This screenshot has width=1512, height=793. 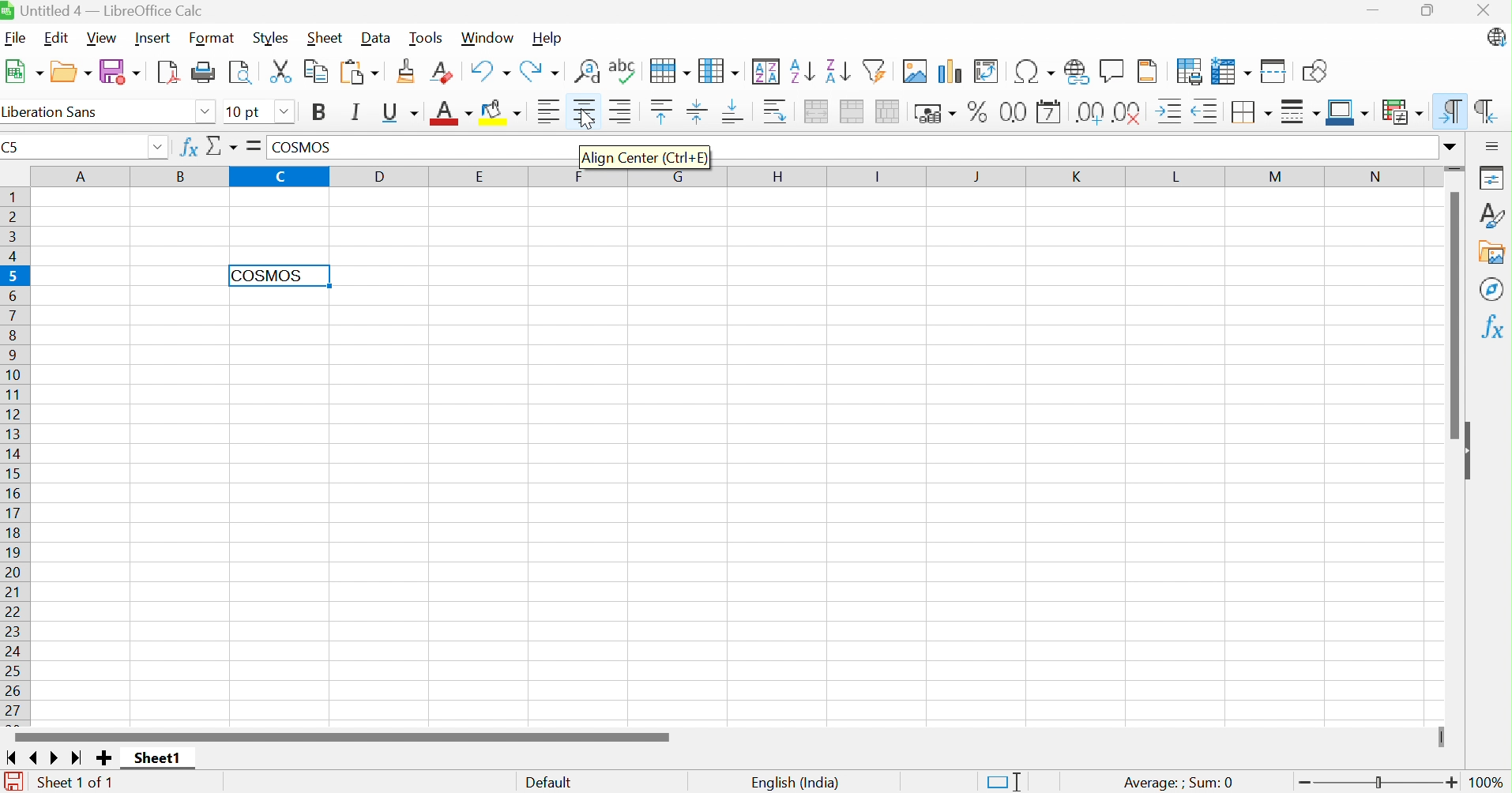 What do you see at coordinates (319, 112) in the screenshot?
I see `Bold` at bounding box center [319, 112].